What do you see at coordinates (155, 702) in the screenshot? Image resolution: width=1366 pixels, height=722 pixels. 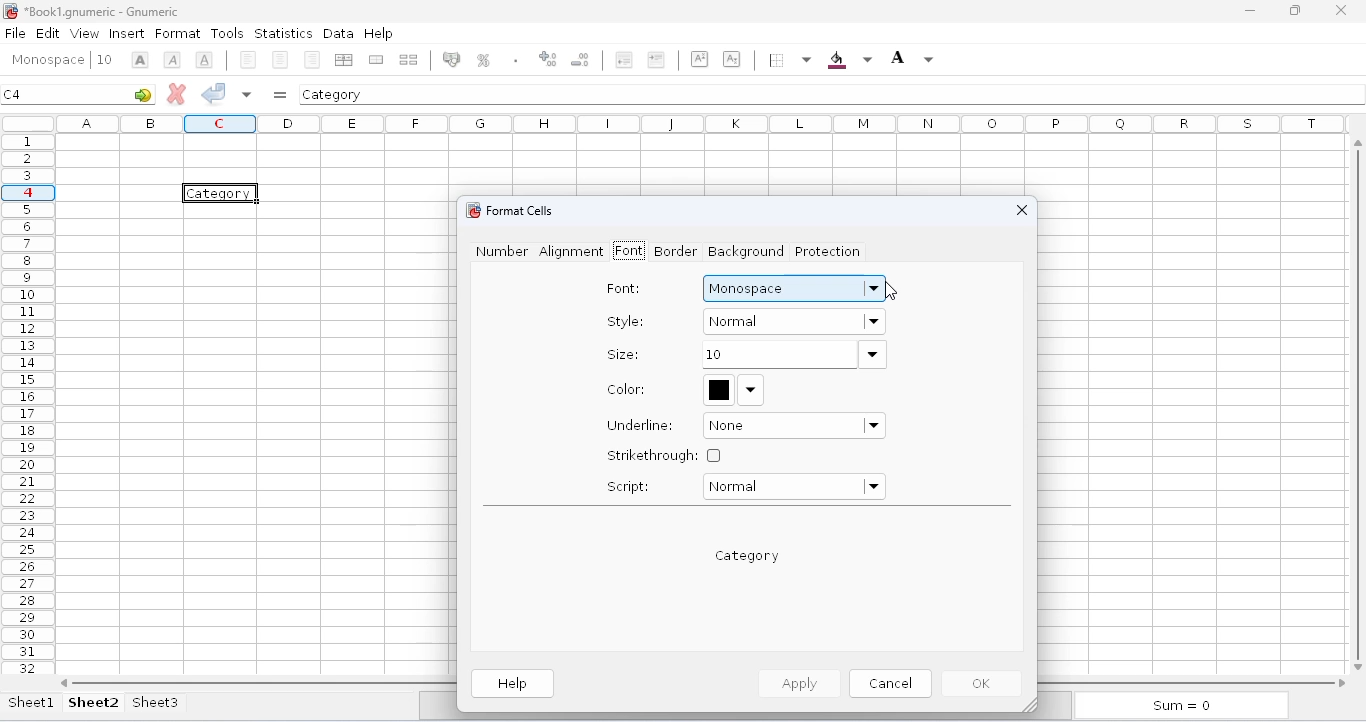 I see `sheet3` at bounding box center [155, 702].